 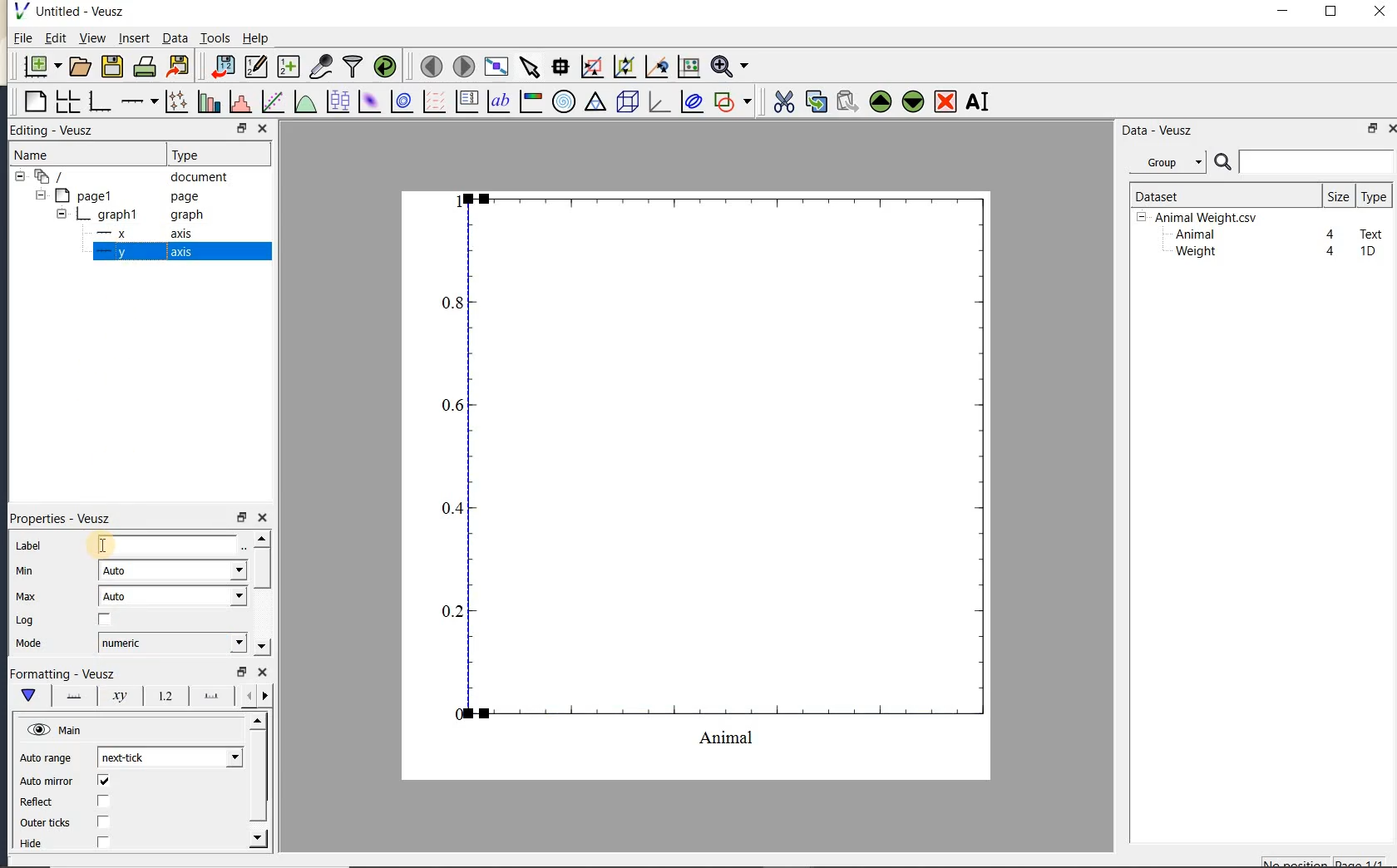 What do you see at coordinates (1331, 12) in the screenshot?
I see `maximize` at bounding box center [1331, 12].